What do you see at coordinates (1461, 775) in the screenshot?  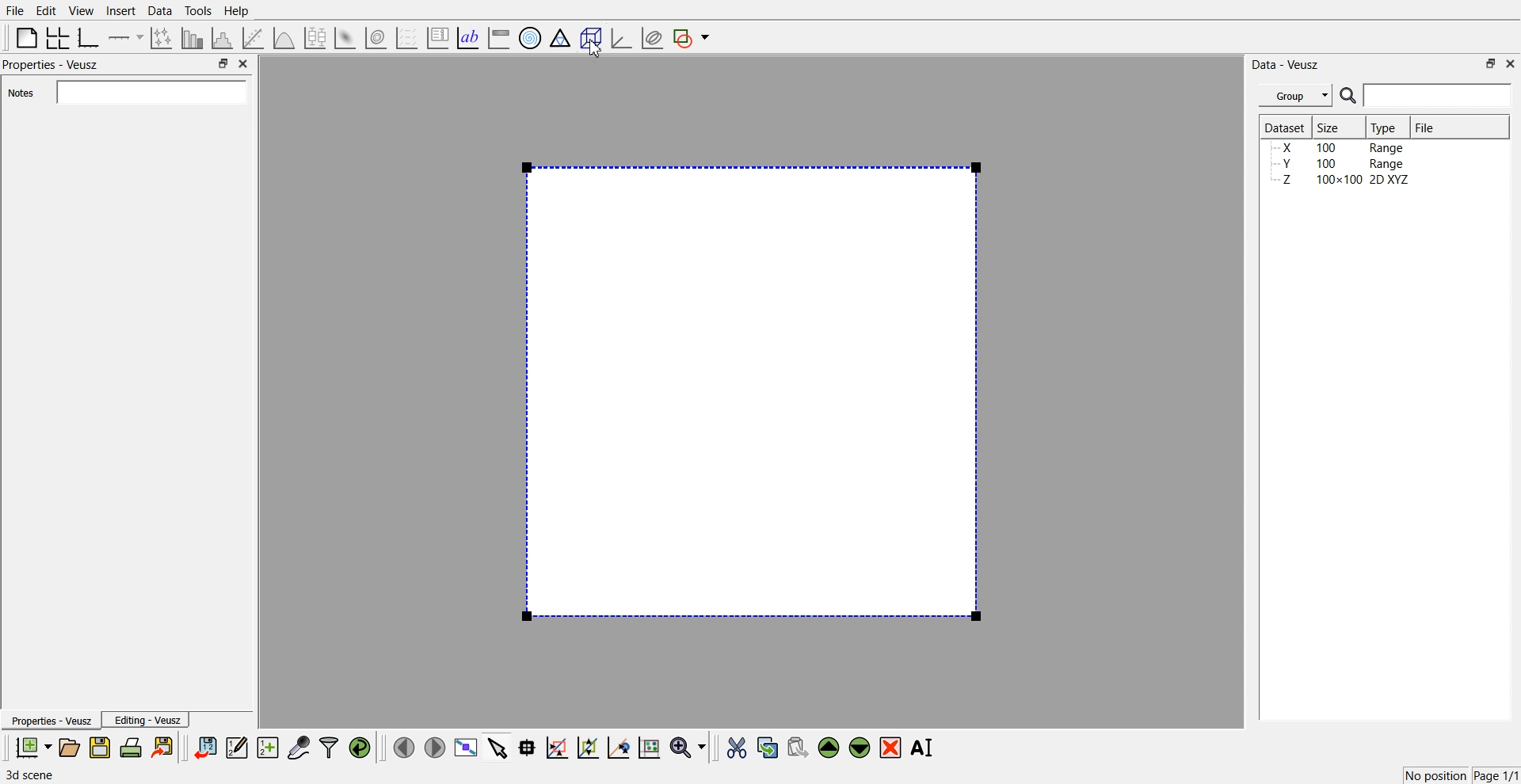 I see `No position Page 1/1` at bounding box center [1461, 775].